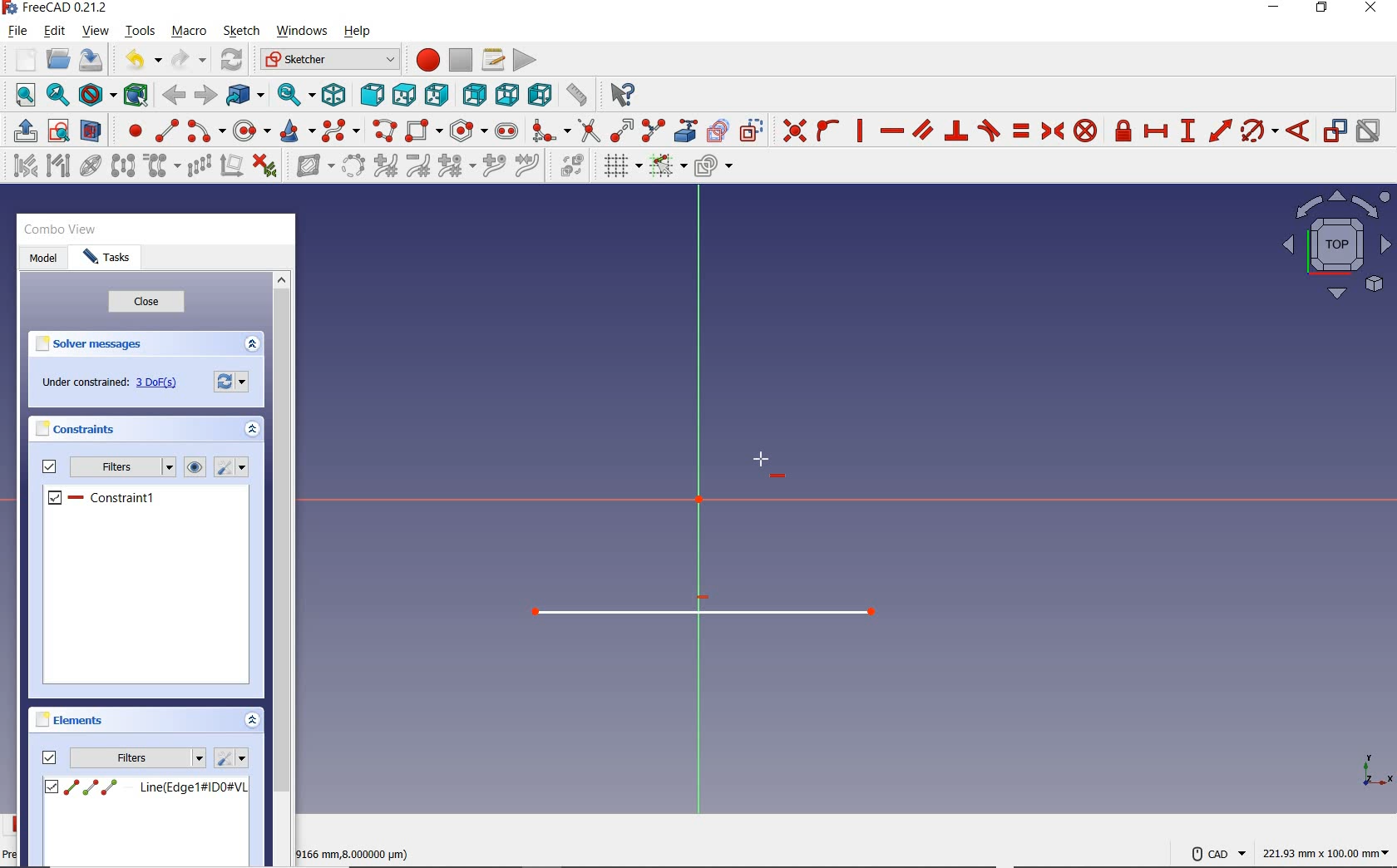 The image size is (1397, 868). I want to click on EXTEND EDGE, so click(621, 128).